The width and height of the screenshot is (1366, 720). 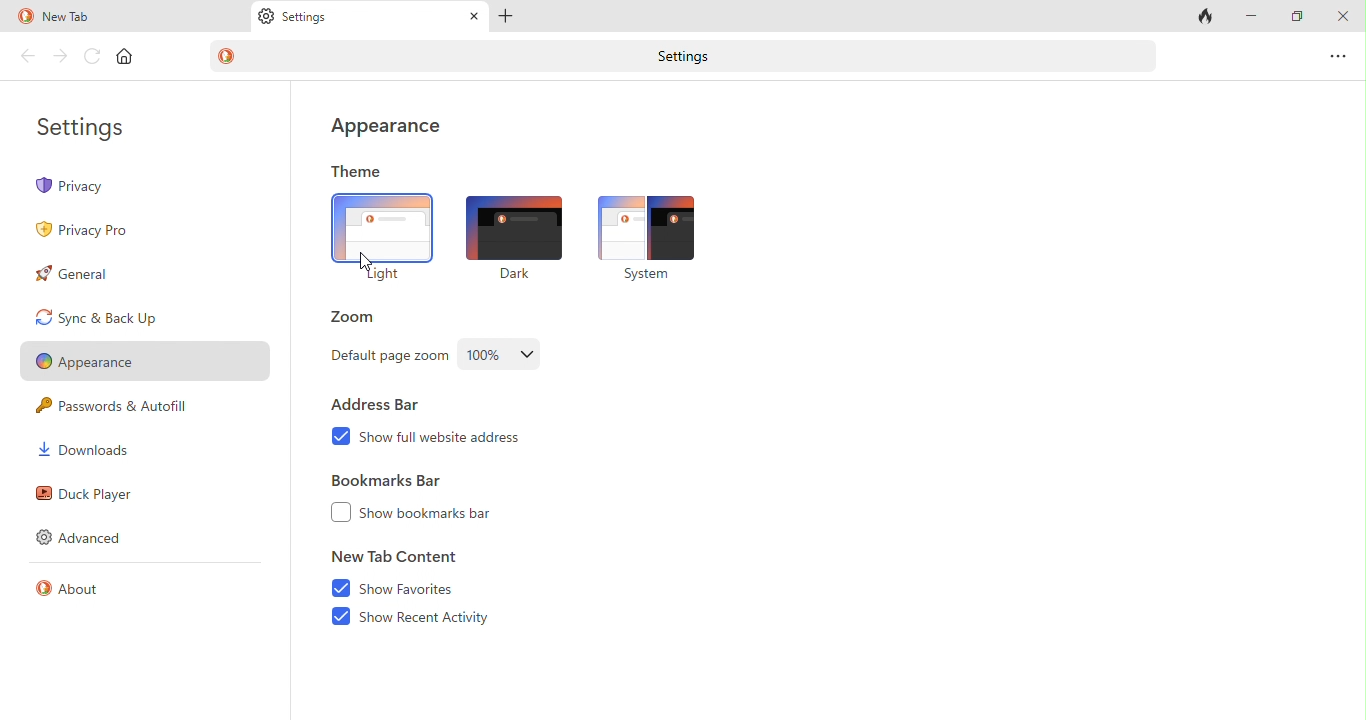 What do you see at coordinates (87, 538) in the screenshot?
I see `advanced` at bounding box center [87, 538].